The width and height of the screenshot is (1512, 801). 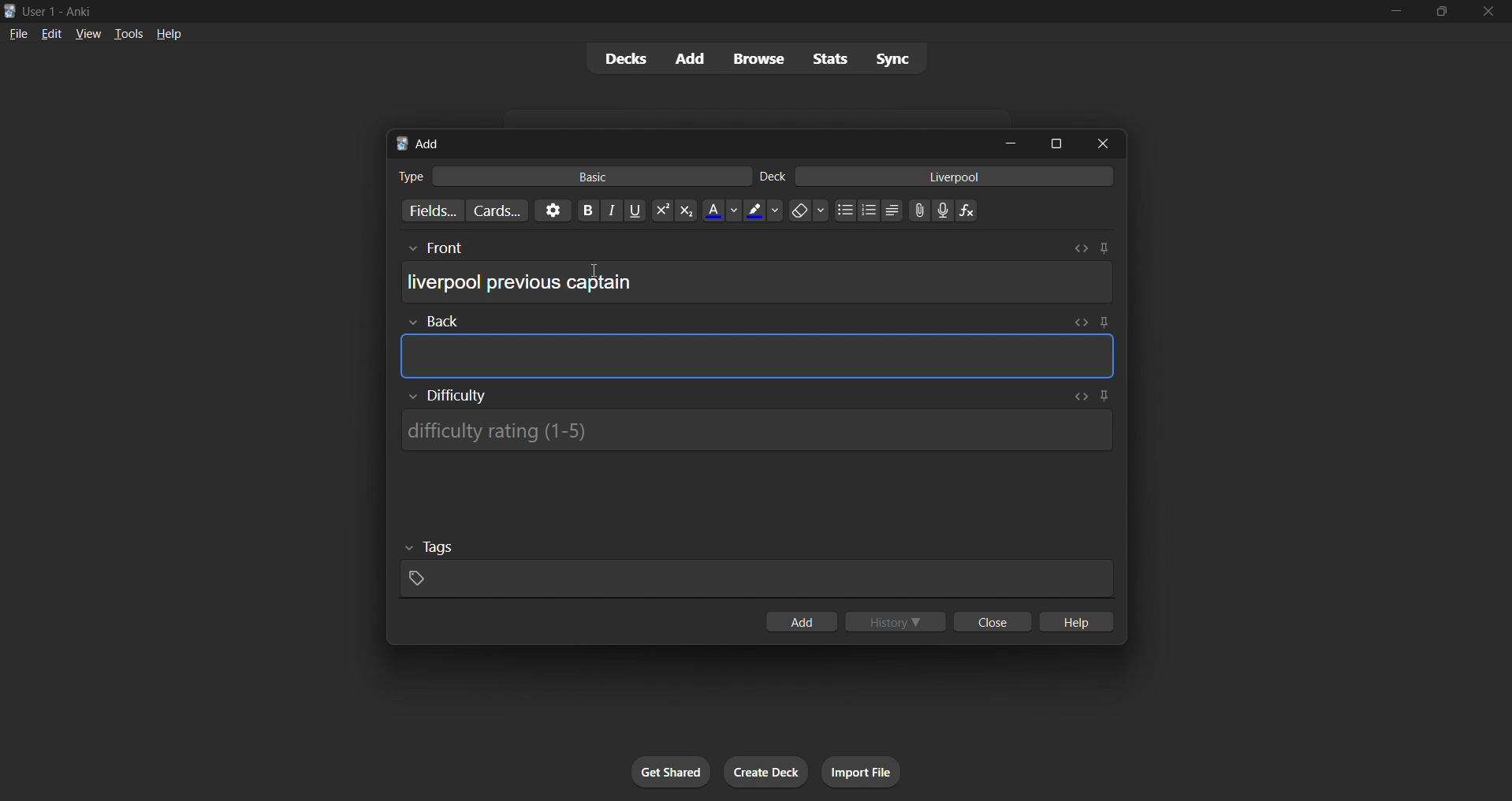 What do you see at coordinates (550, 210) in the screenshot?
I see `options` at bounding box center [550, 210].